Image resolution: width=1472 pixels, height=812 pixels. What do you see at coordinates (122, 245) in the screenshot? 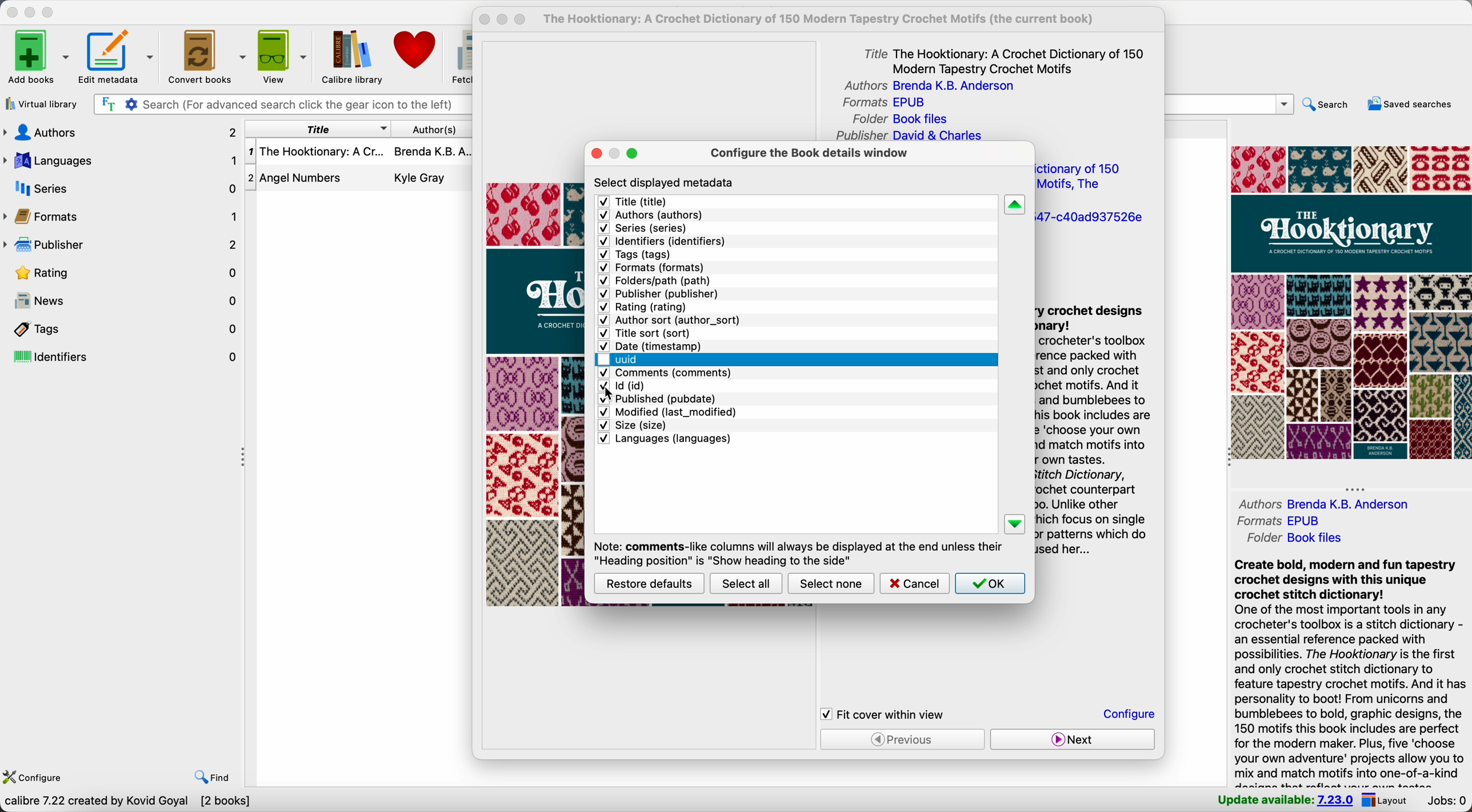
I see `publisher` at bounding box center [122, 245].